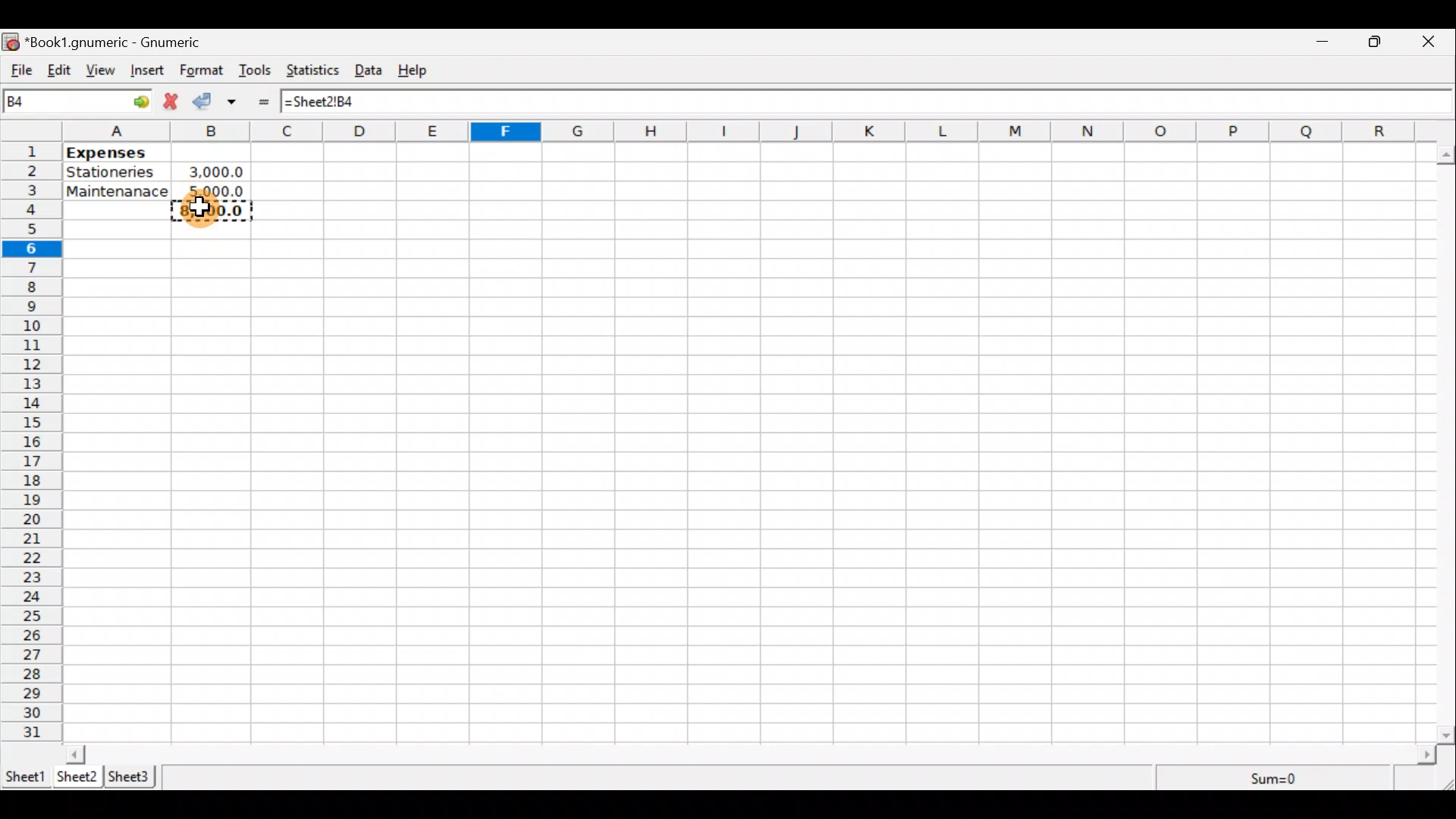 This screenshot has width=1456, height=819. Describe the element at coordinates (174, 103) in the screenshot. I see `Cancel change` at that location.